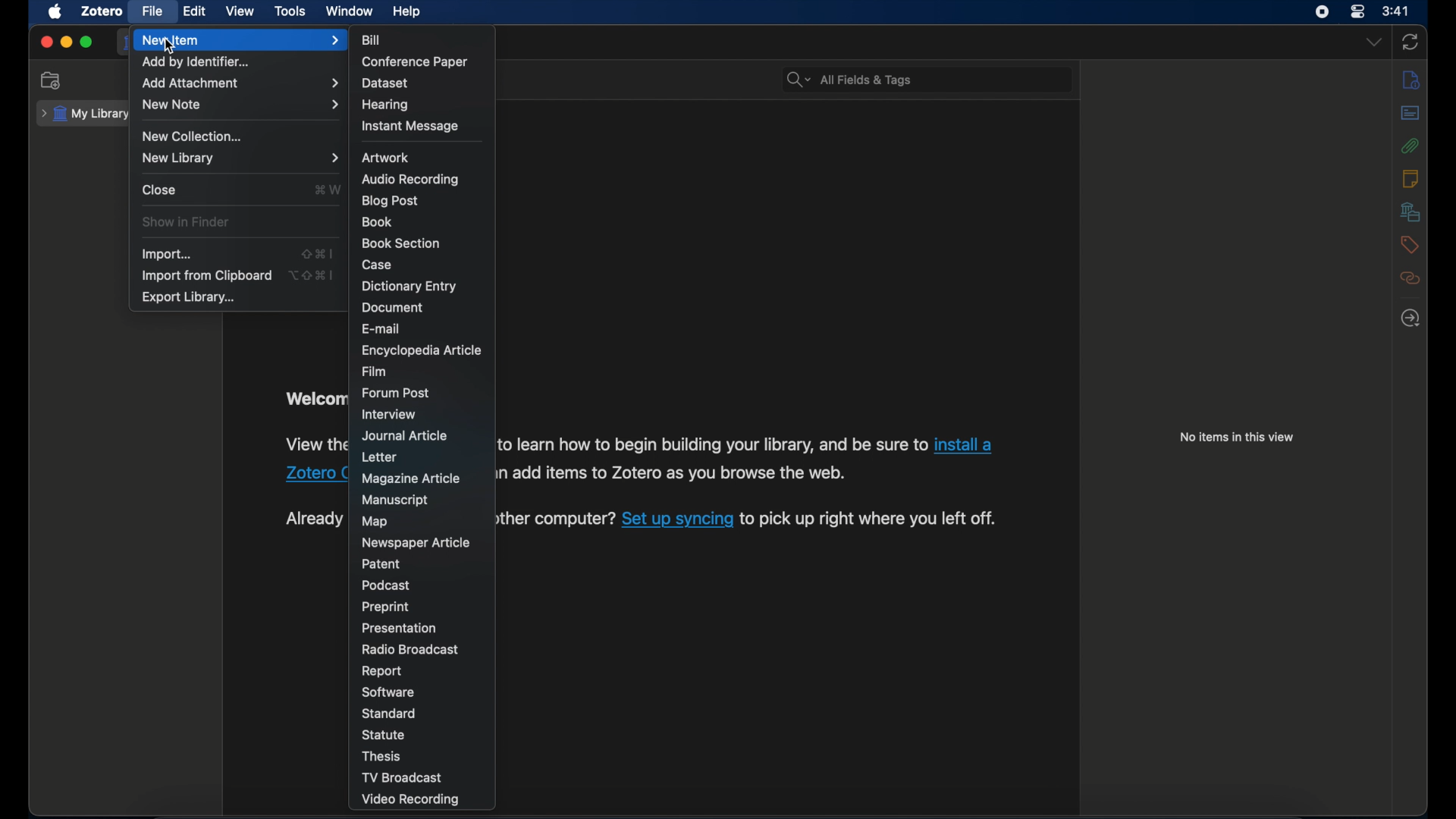 The width and height of the screenshot is (1456, 819). Describe the element at coordinates (86, 115) in the screenshot. I see `my library` at that location.